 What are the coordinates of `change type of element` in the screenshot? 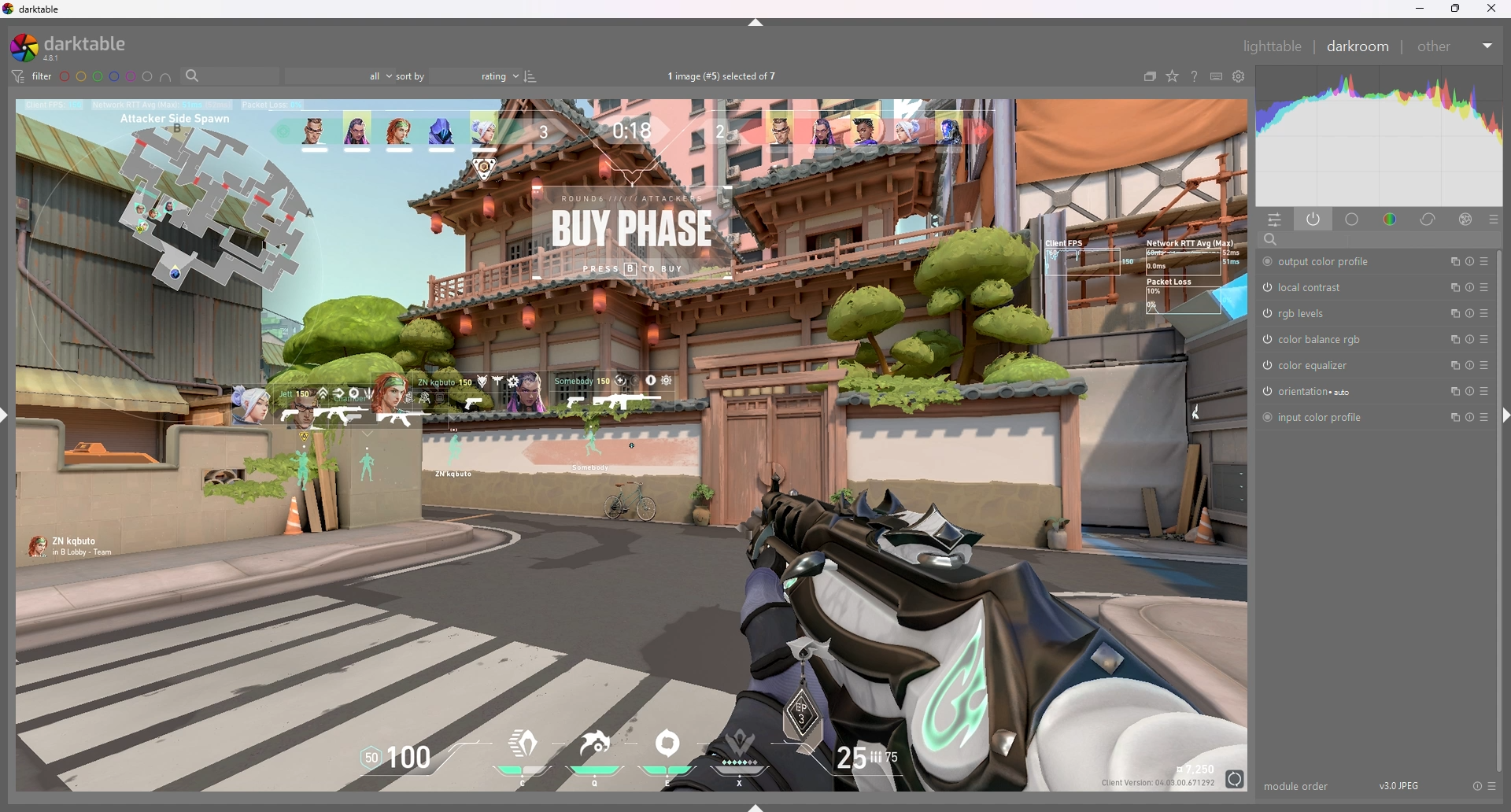 It's located at (1173, 76).